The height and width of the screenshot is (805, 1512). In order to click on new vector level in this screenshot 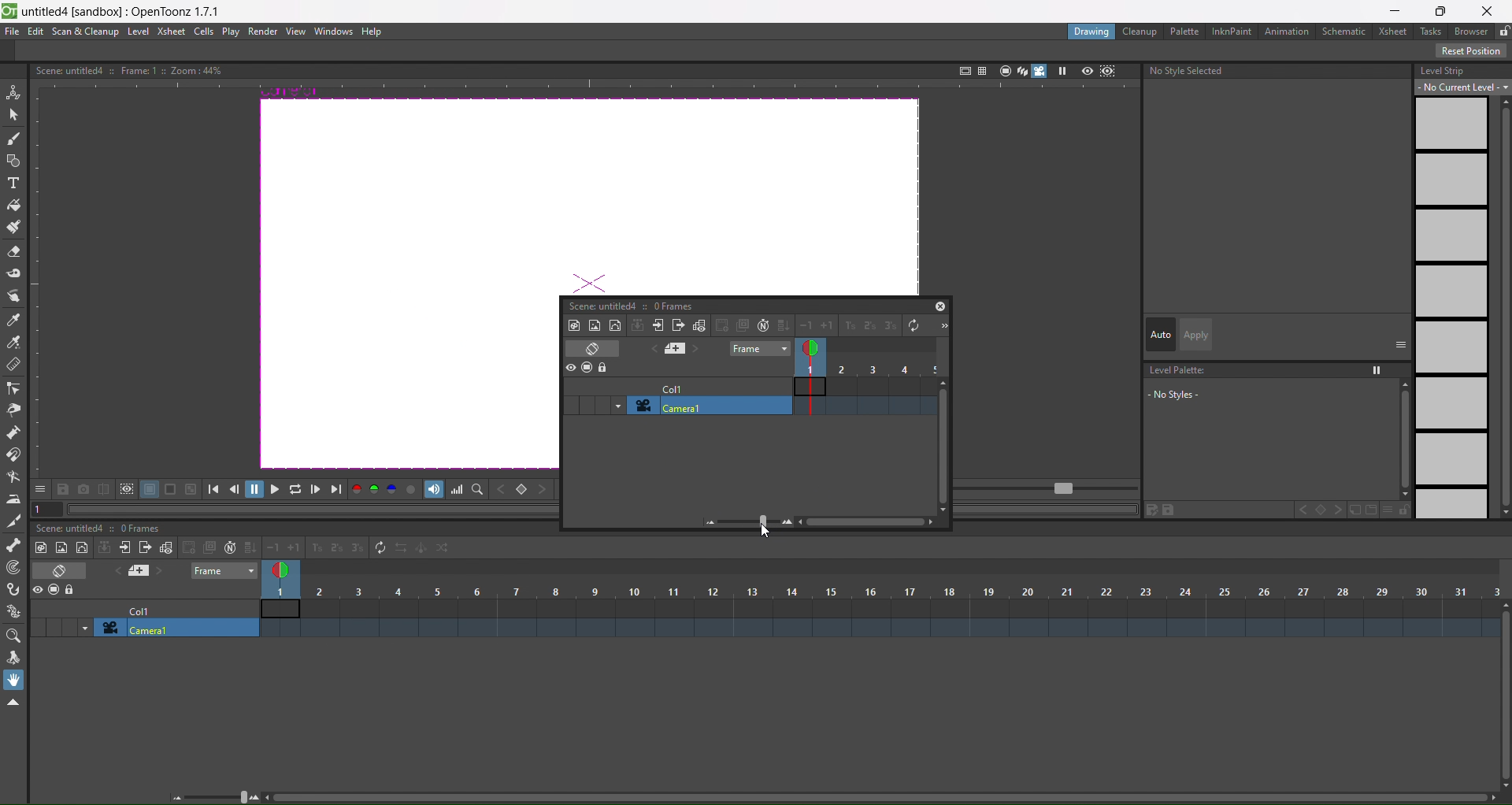, I will do `click(82, 548)`.